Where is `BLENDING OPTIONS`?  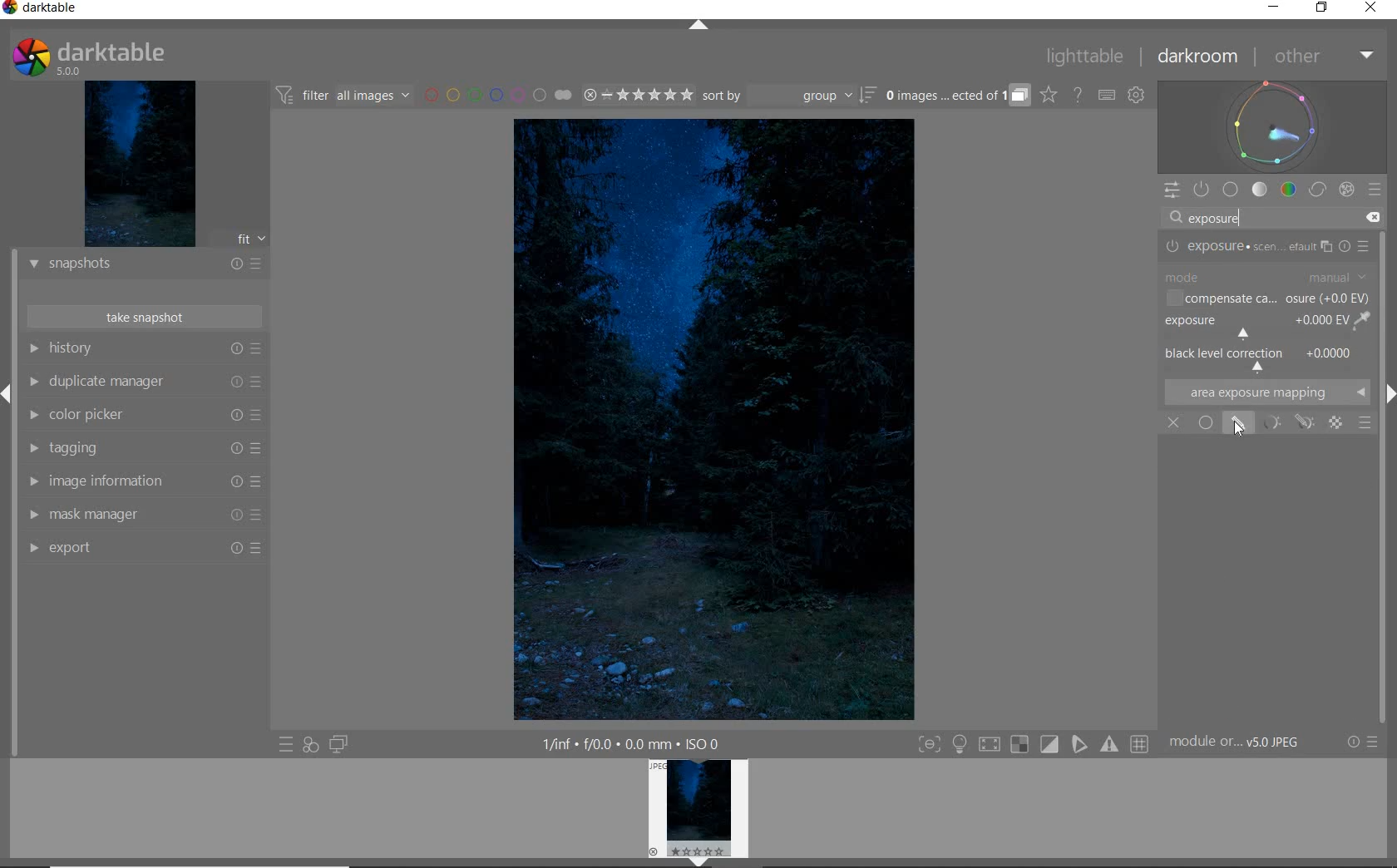 BLENDING OPTIONS is located at coordinates (1365, 423).